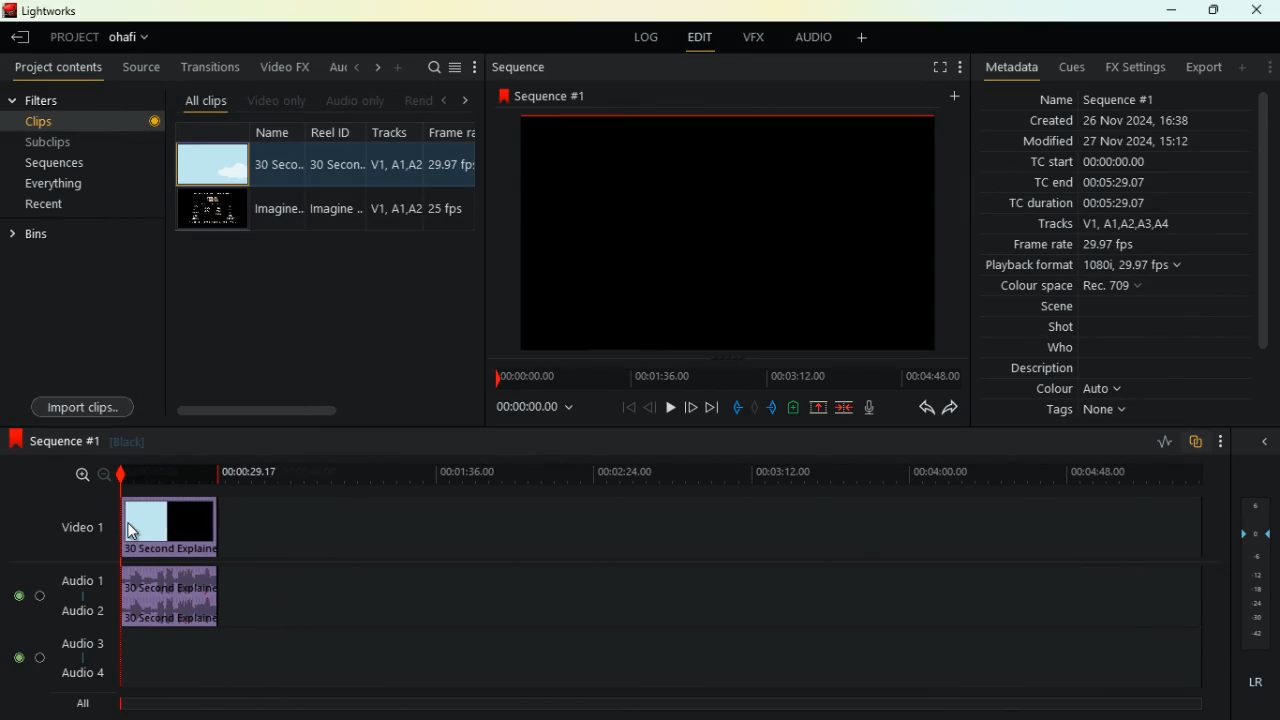  Describe the element at coordinates (1219, 441) in the screenshot. I see `more` at that location.